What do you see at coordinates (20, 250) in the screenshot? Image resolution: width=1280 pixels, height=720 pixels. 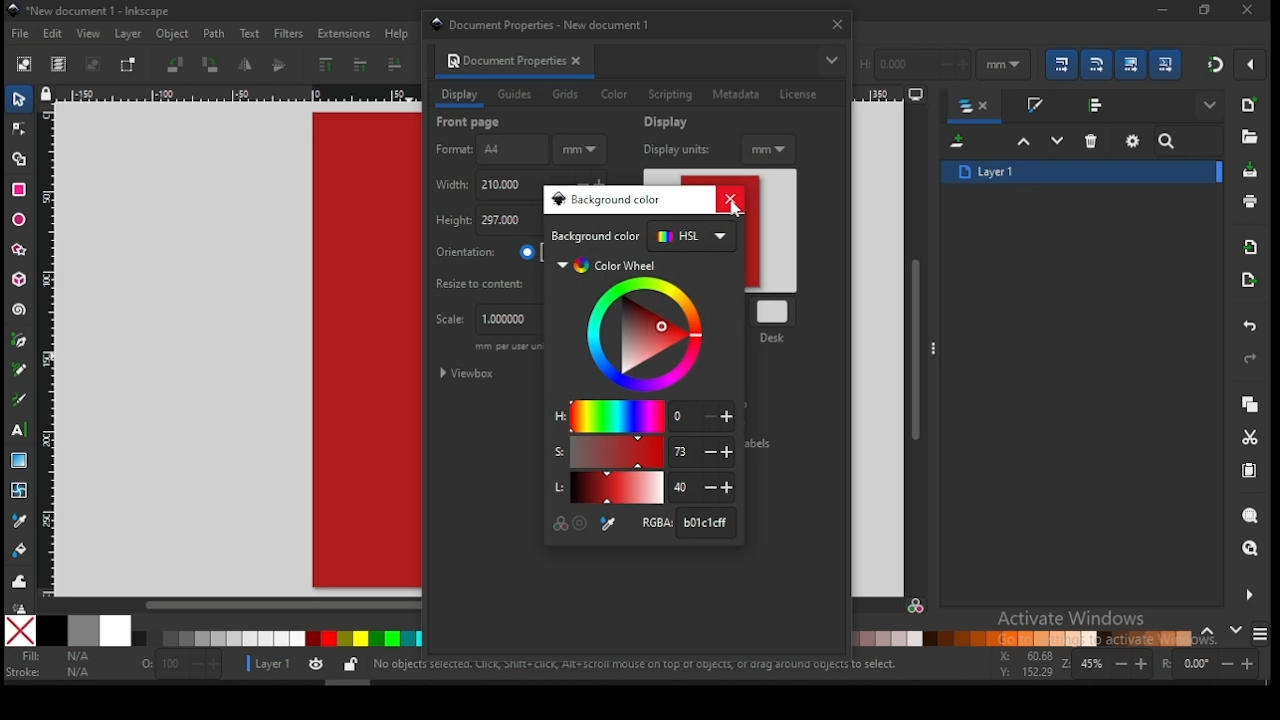 I see `star/polygon tool` at bounding box center [20, 250].